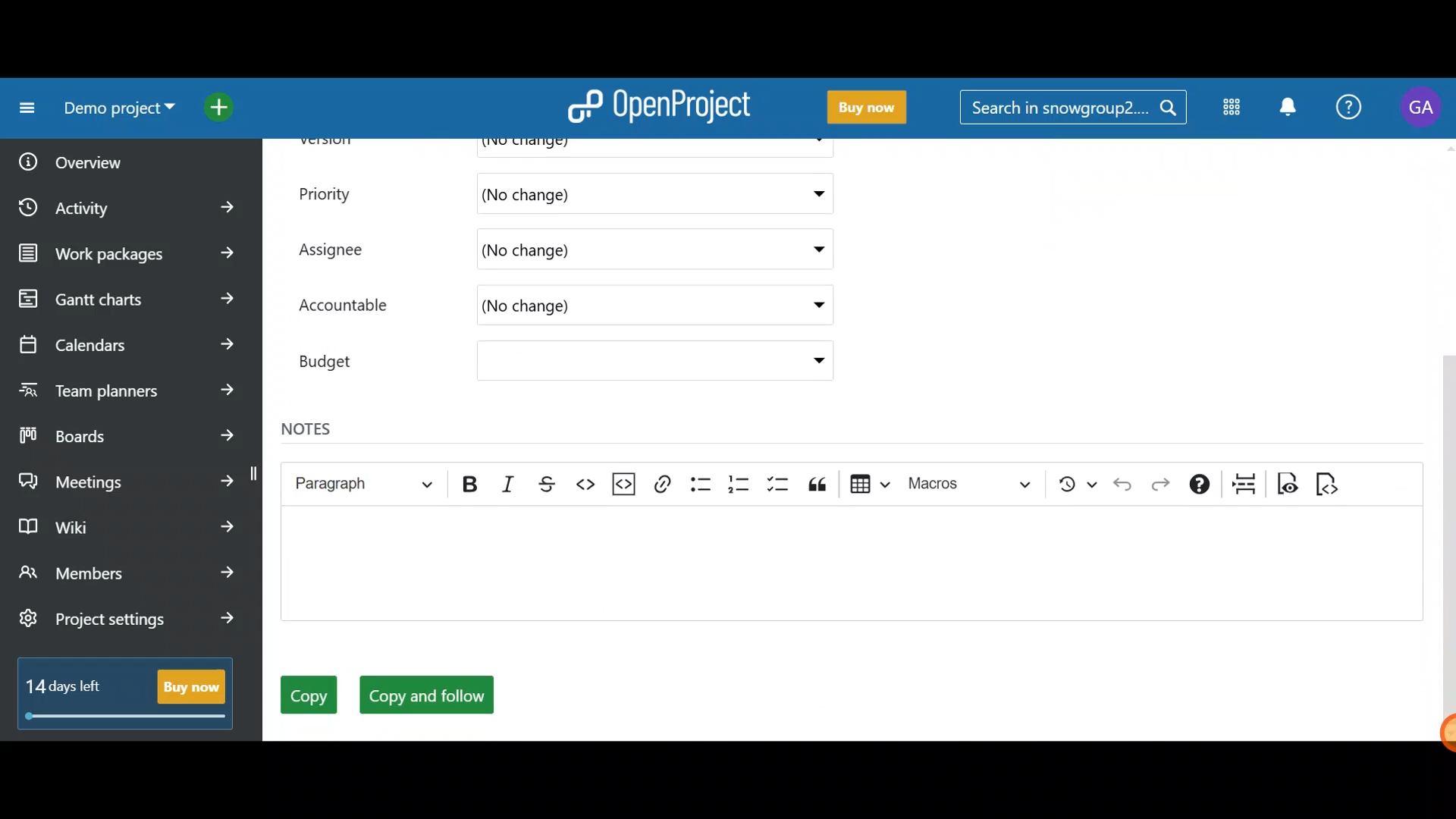 The height and width of the screenshot is (819, 1456). Describe the element at coordinates (704, 484) in the screenshot. I see `Bulleted list` at that location.